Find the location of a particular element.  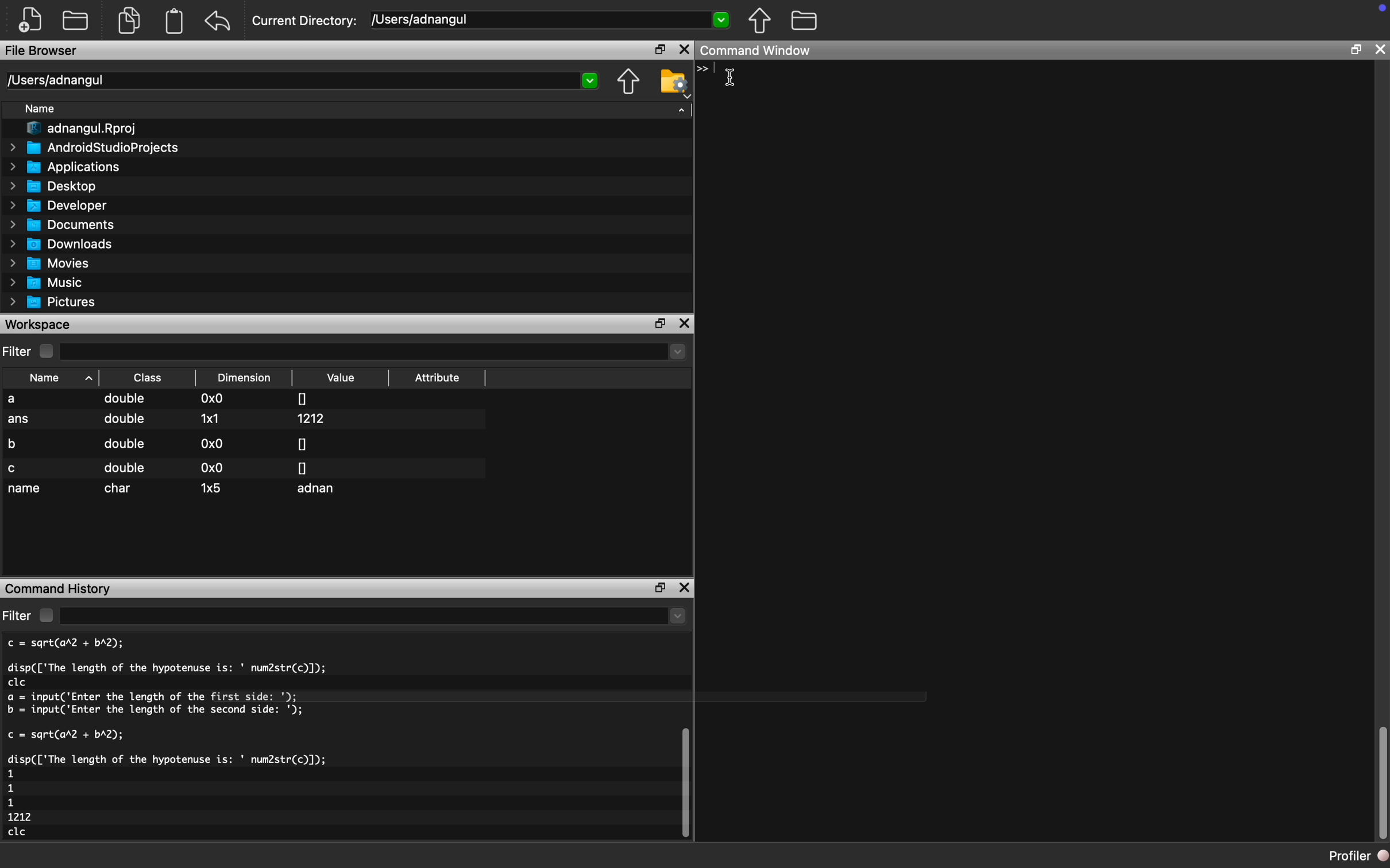

Command Window is located at coordinates (760, 52).